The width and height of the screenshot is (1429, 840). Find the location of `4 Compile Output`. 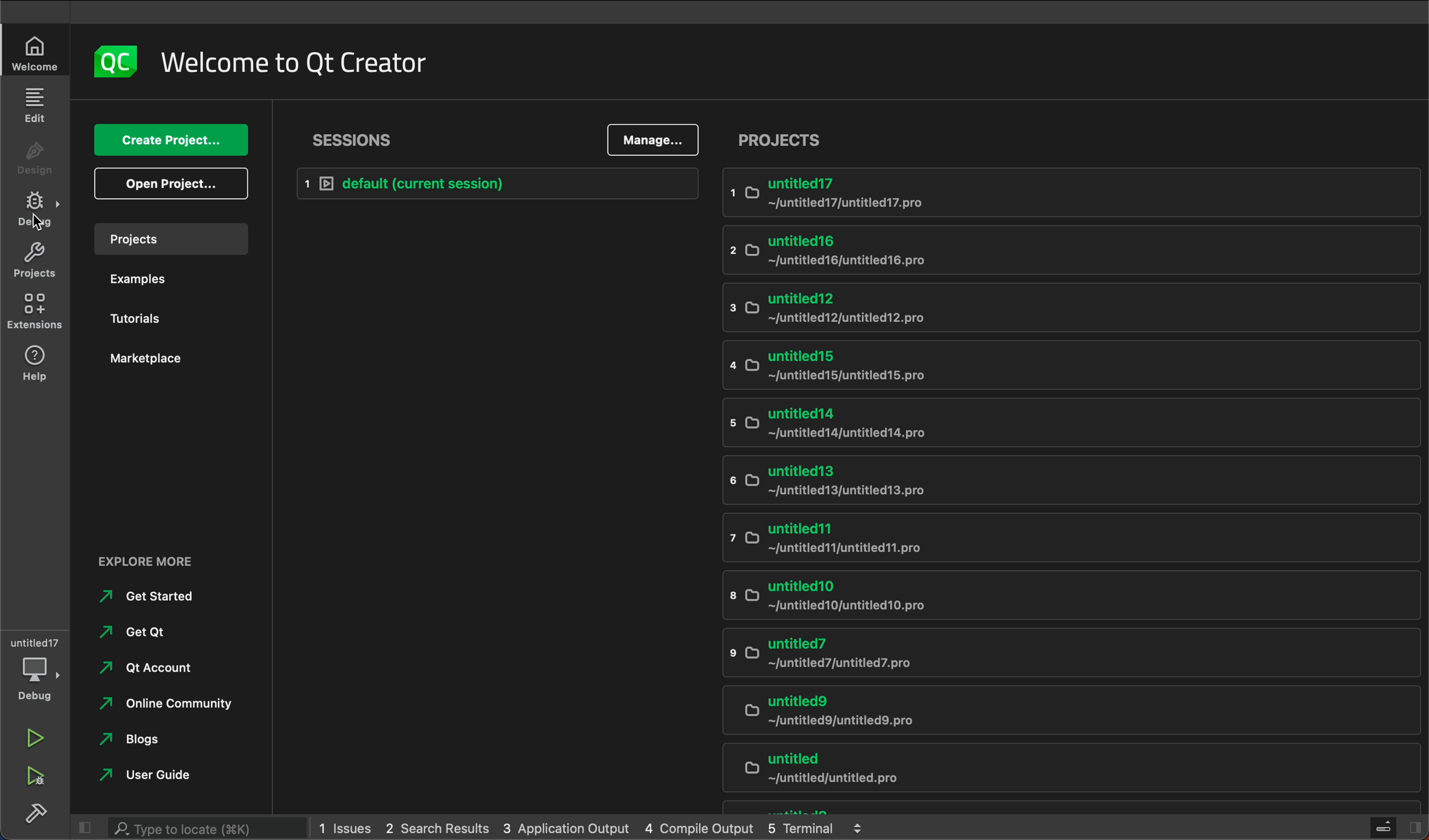

4 Compile Output is located at coordinates (699, 827).